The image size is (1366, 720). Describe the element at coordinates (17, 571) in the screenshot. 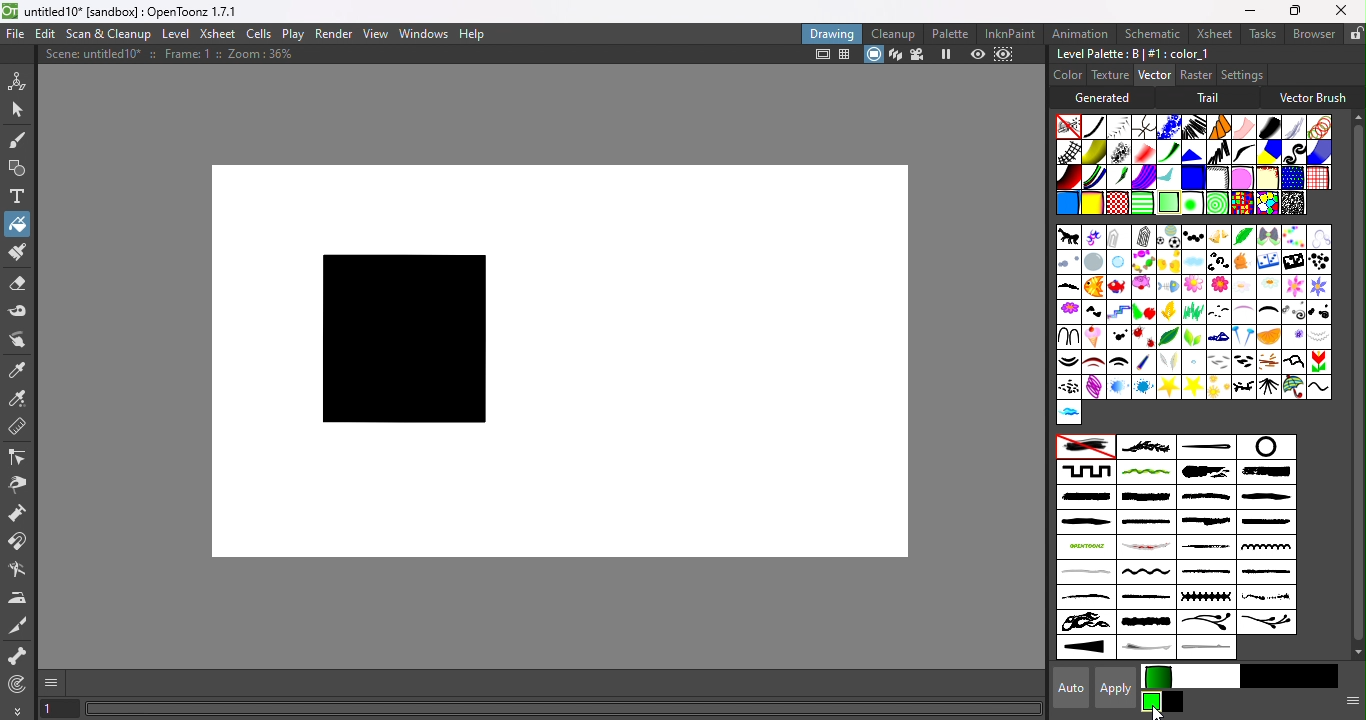

I see `Cutter tool` at that location.